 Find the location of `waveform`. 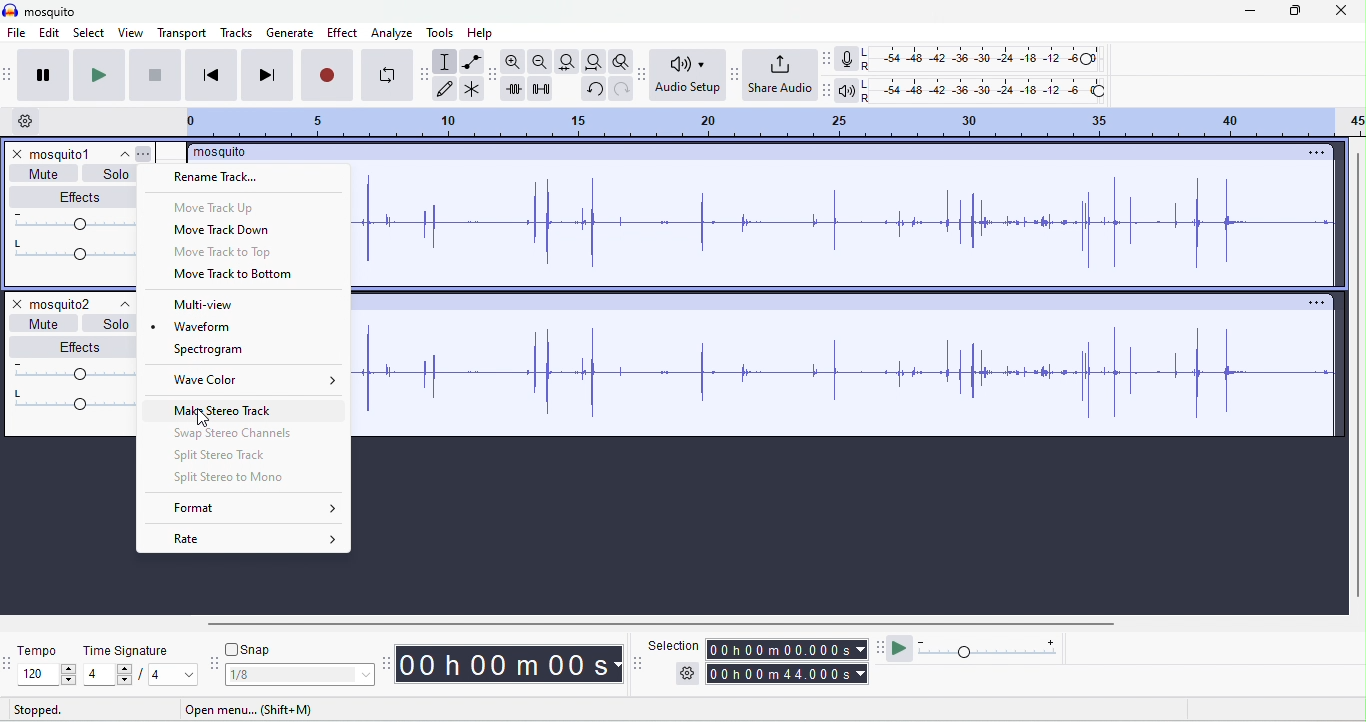

waveform is located at coordinates (216, 328).